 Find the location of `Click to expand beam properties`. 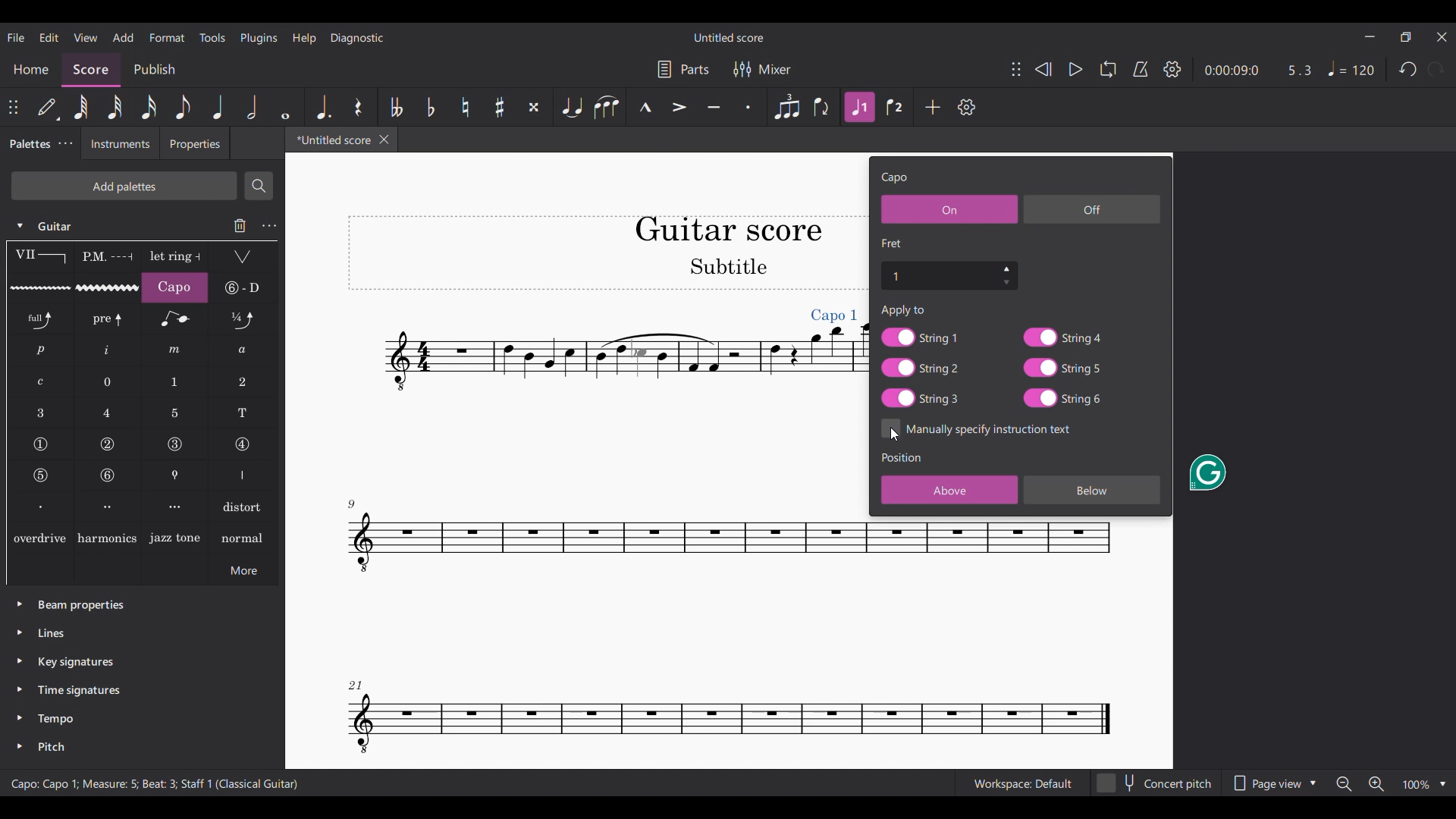

Click to expand beam properties is located at coordinates (20, 604).